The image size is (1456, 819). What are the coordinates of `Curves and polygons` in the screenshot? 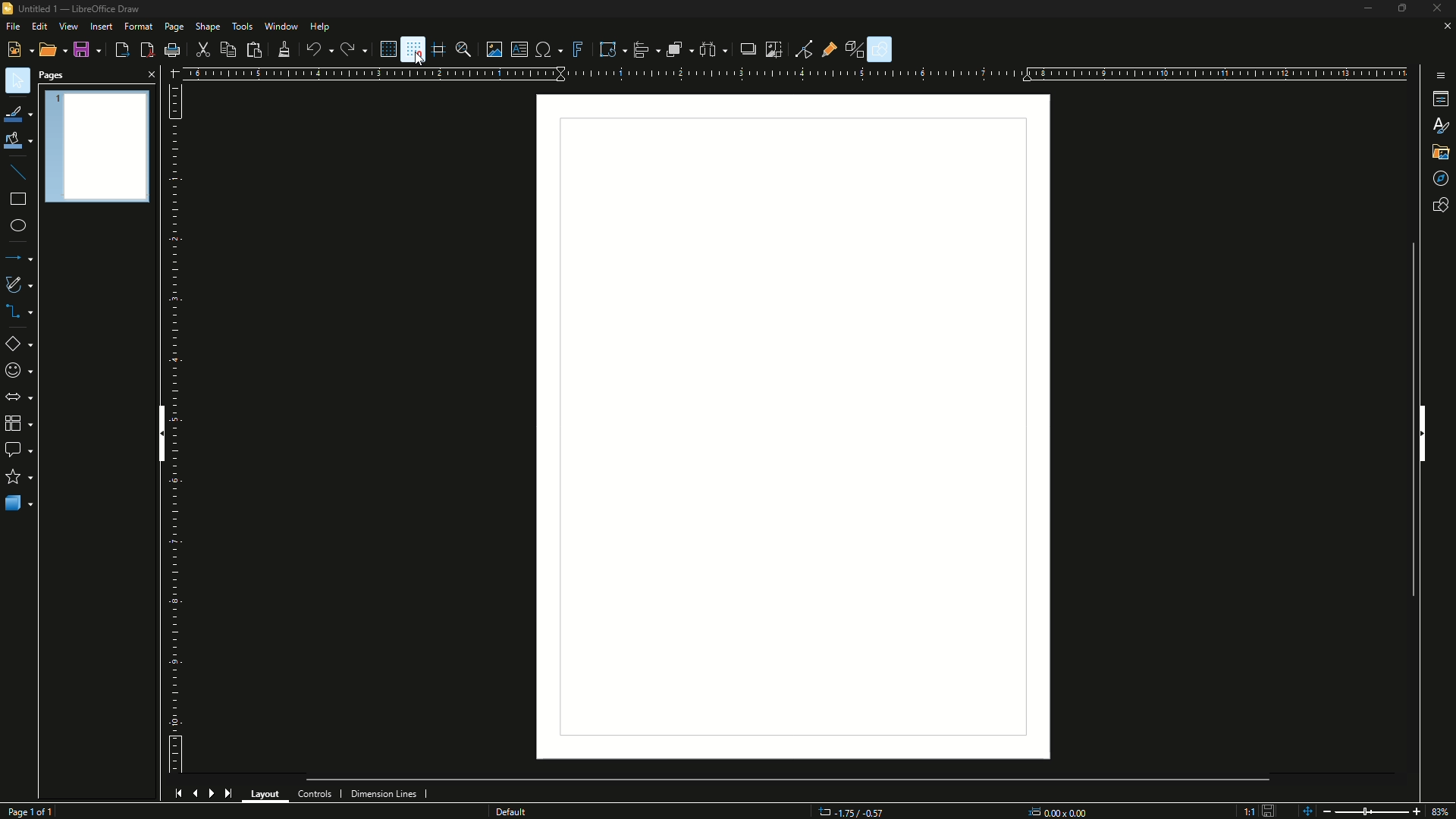 It's located at (27, 284).